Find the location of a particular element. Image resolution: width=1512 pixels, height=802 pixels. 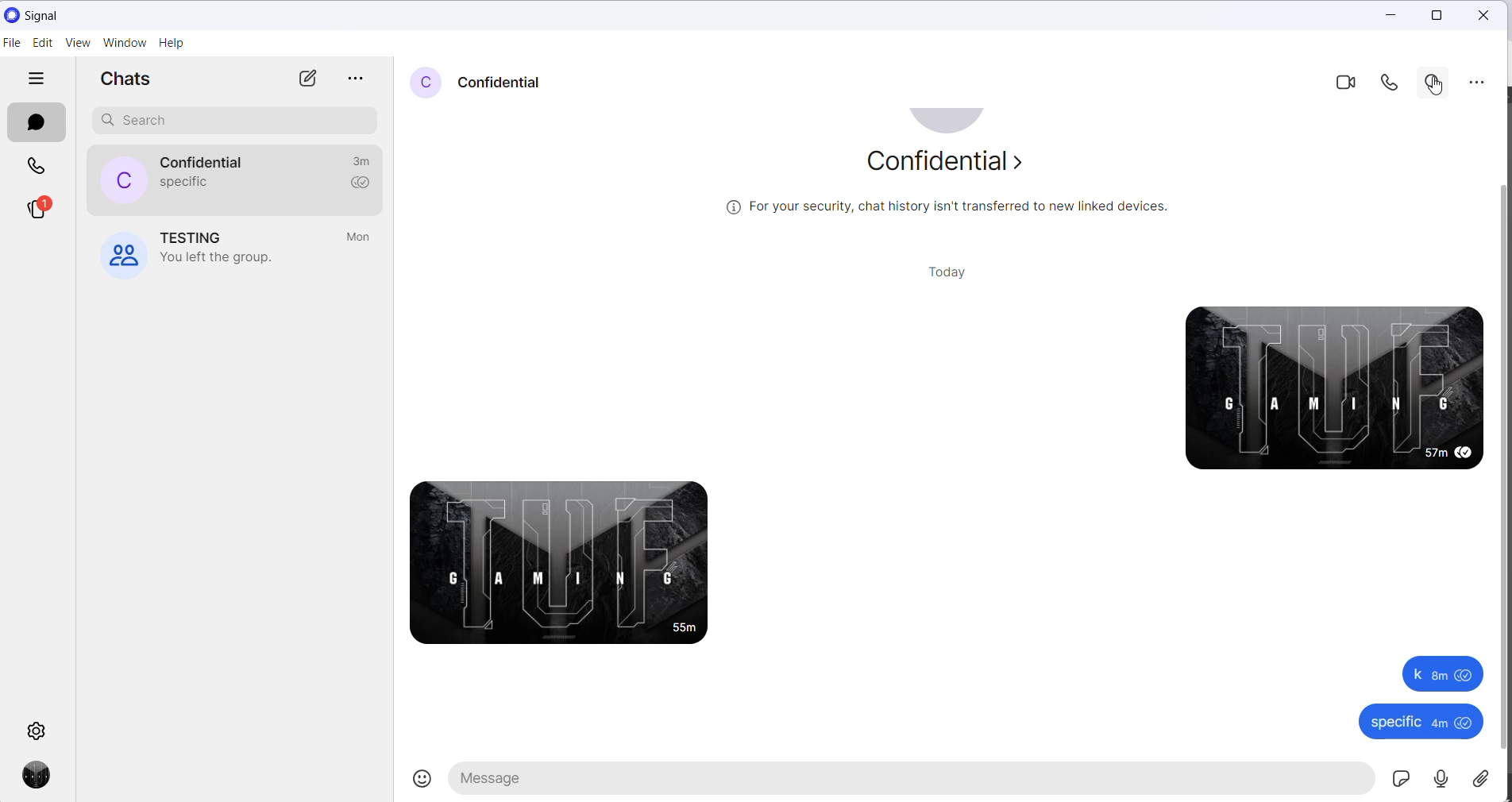

about contact is located at coordinates (947, 165).